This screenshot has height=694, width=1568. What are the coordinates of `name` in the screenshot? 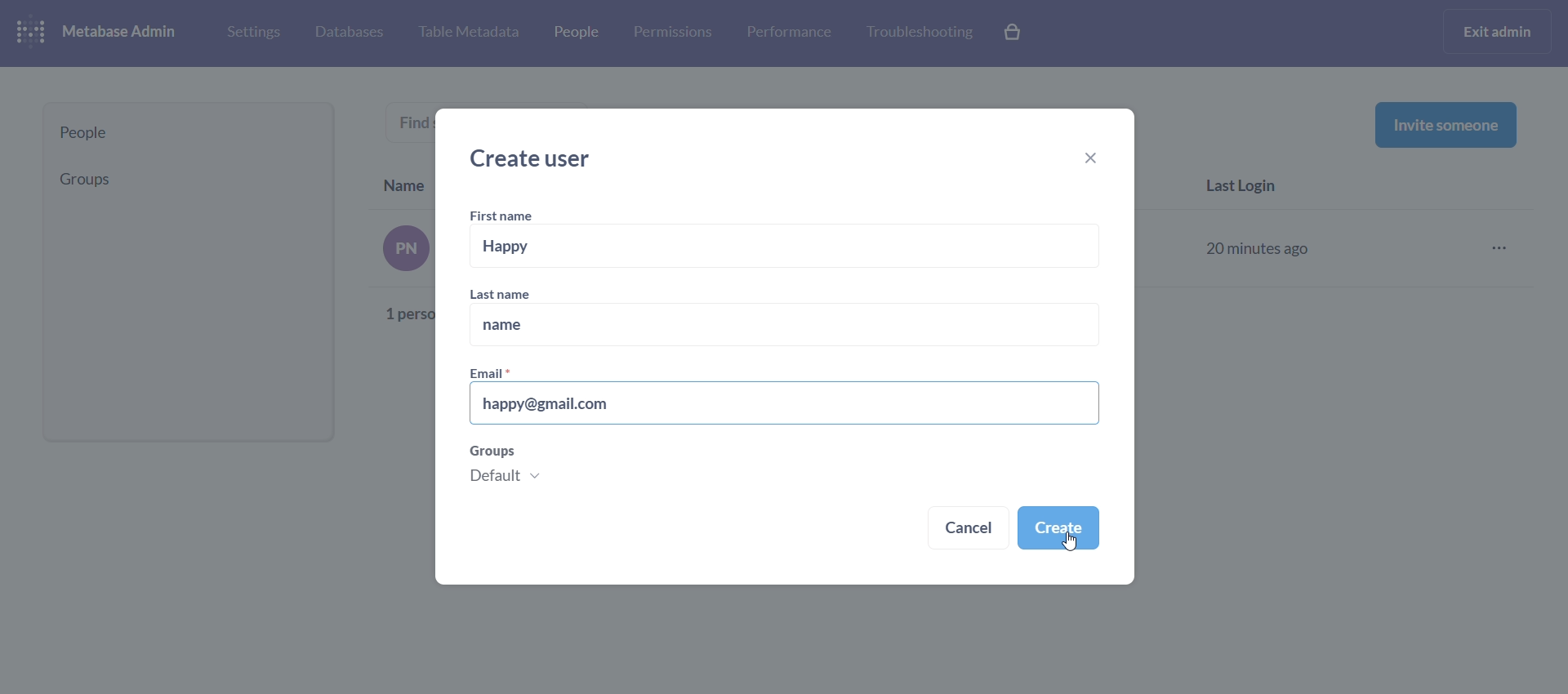 It's located at (782, 326).